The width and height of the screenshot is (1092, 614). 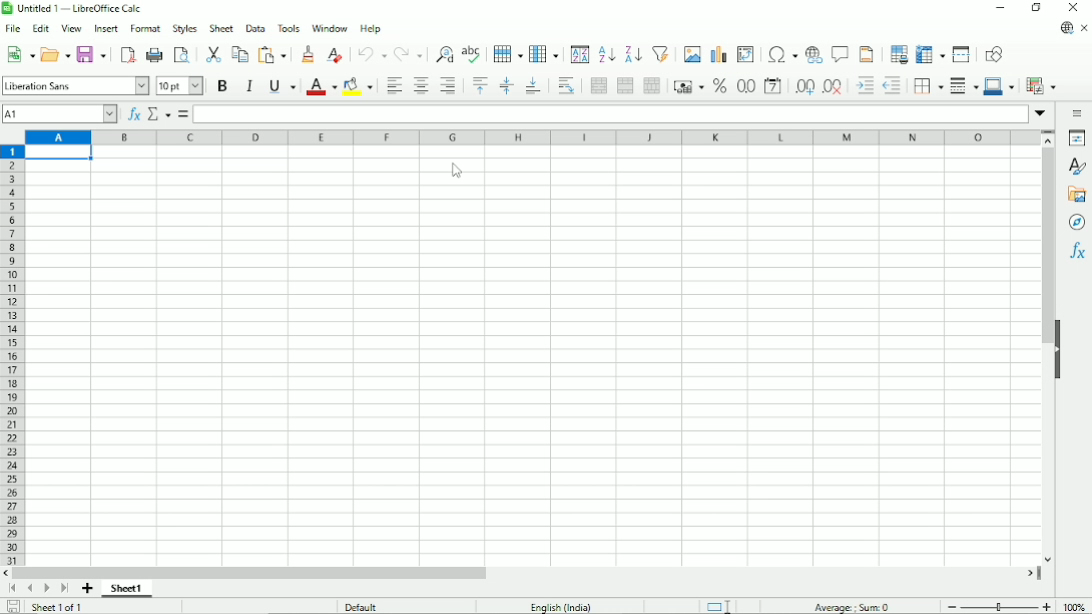 I want to click on Active cell, so click(x=62, y=154).